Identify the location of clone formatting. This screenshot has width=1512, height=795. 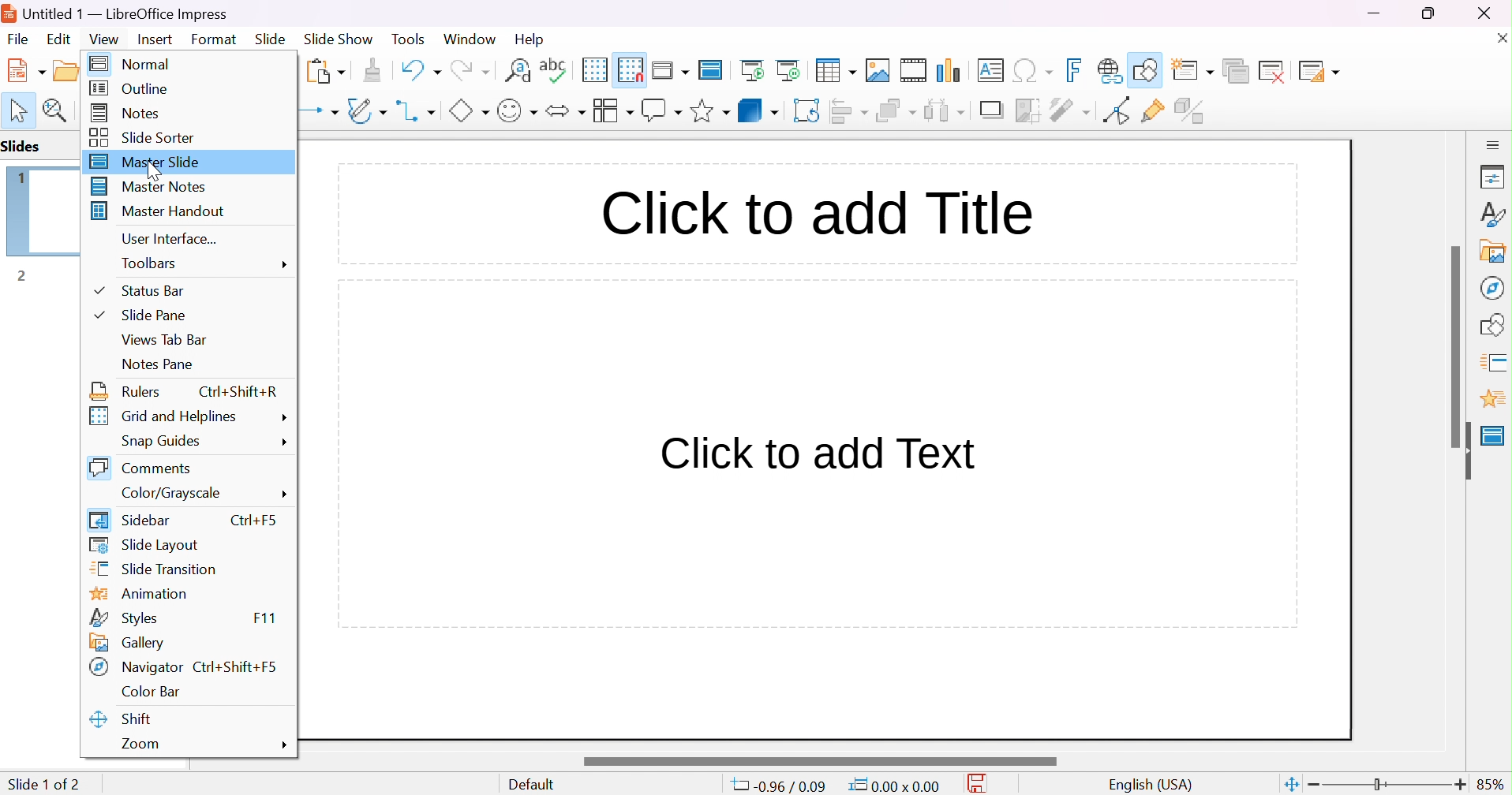
(372, 70).